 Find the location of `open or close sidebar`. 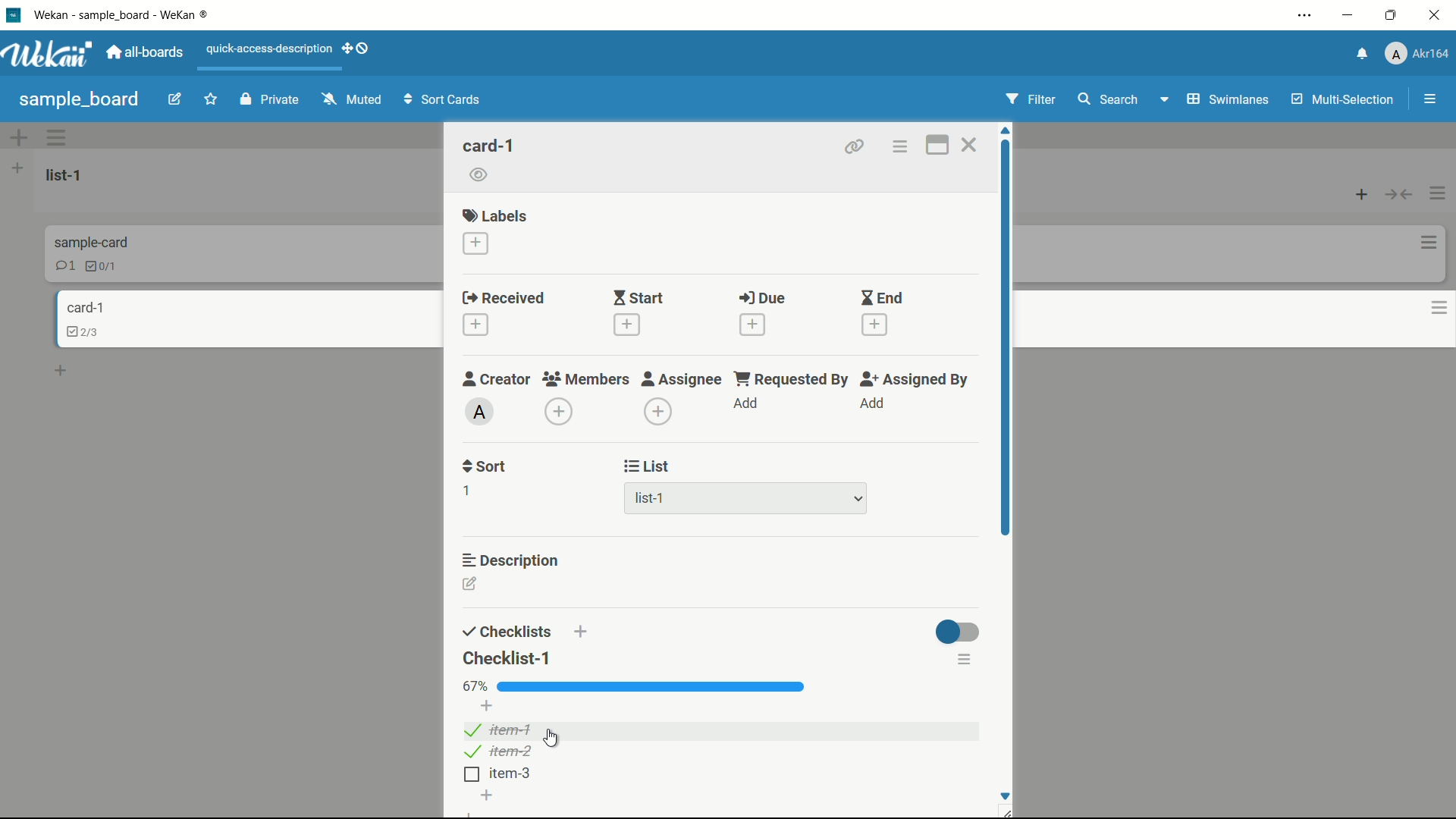

open or close sidebar is located at coordinates (1426, 99).